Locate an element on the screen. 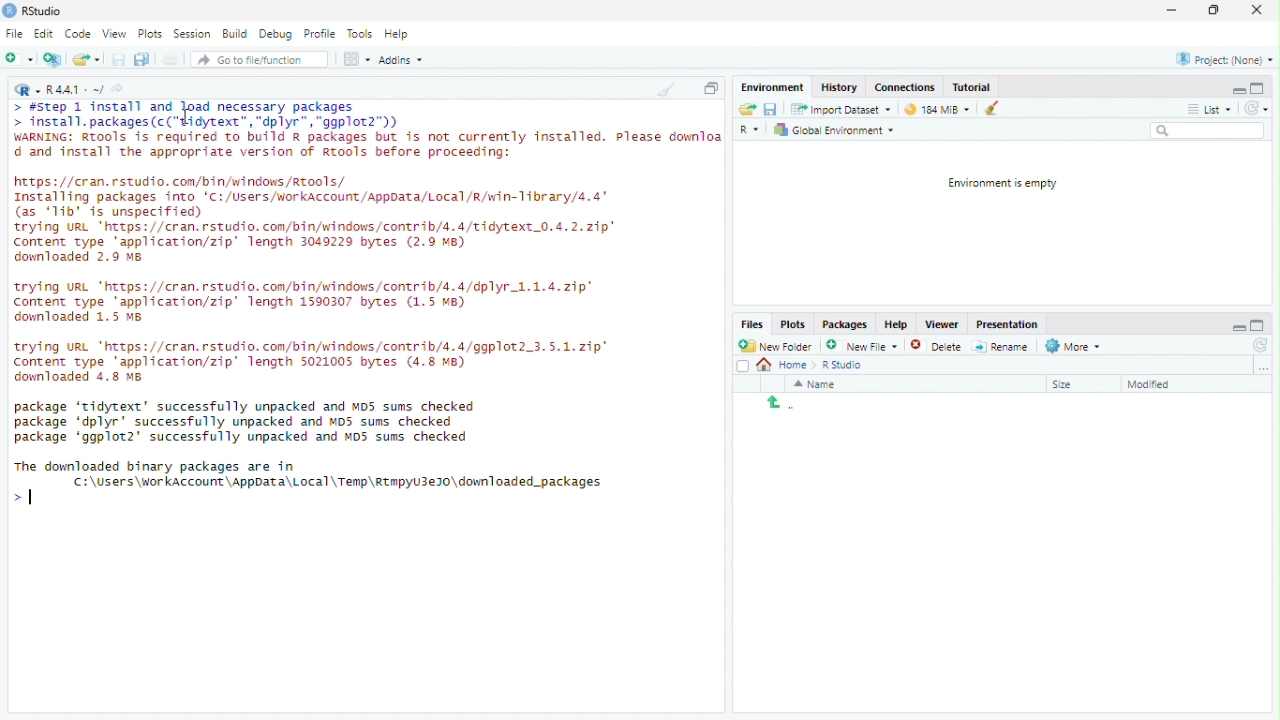 The width and height of the screenshot is (1280, 720). Home is located at coordinates (788, 365).